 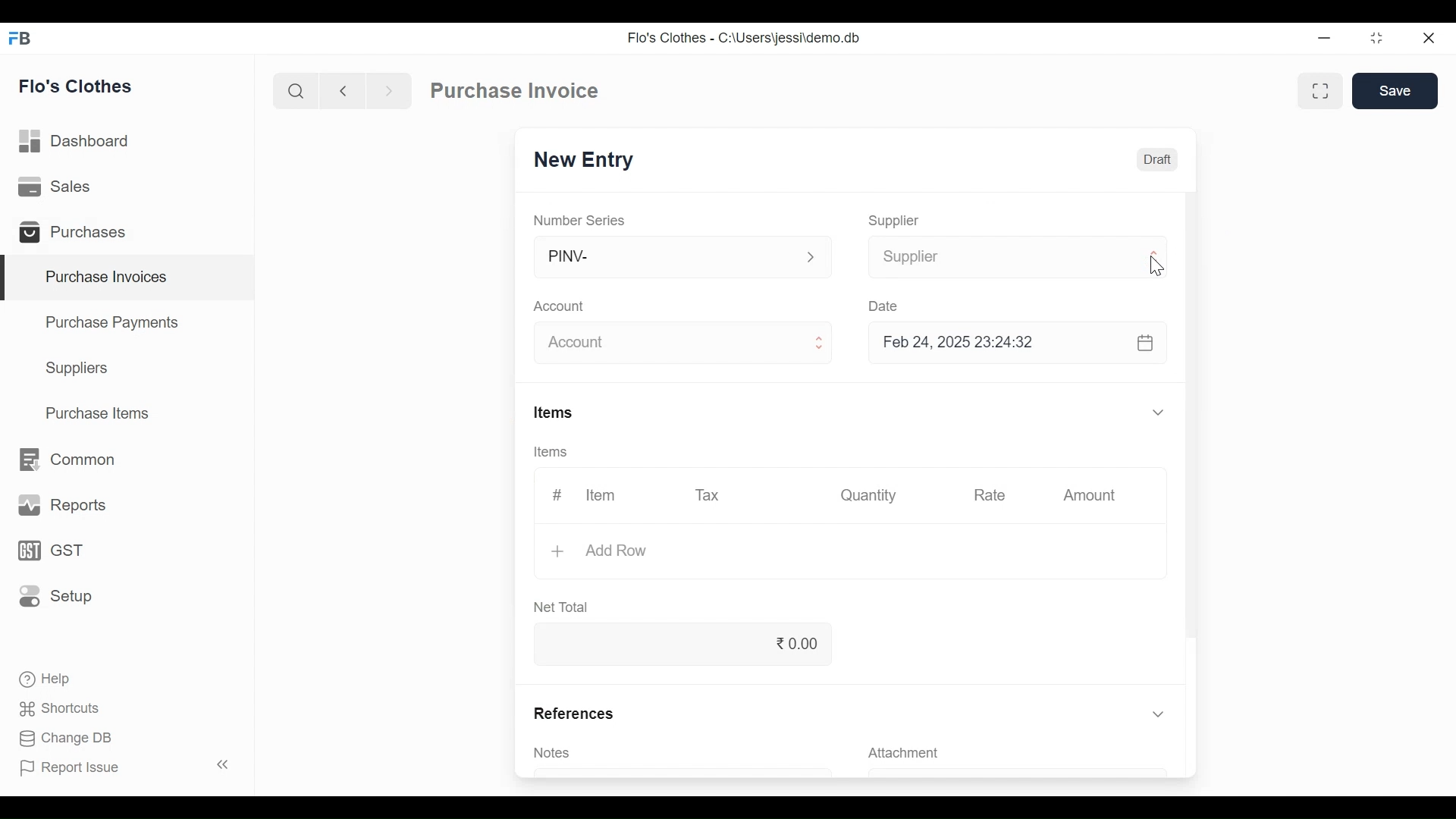 I want to click on Dashboard, so click(x=82, y=142).